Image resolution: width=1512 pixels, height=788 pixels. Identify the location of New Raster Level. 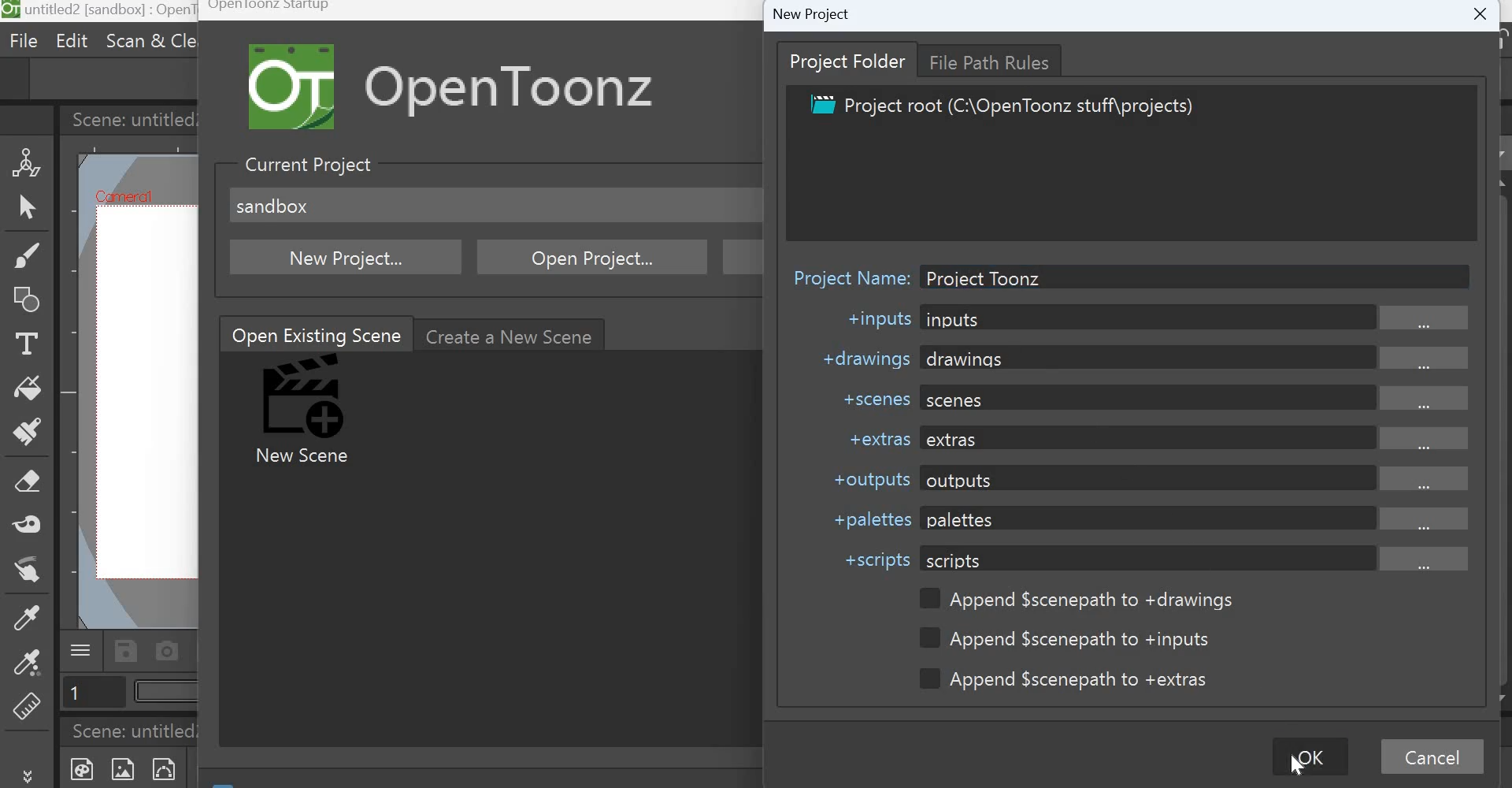
(128, 769).